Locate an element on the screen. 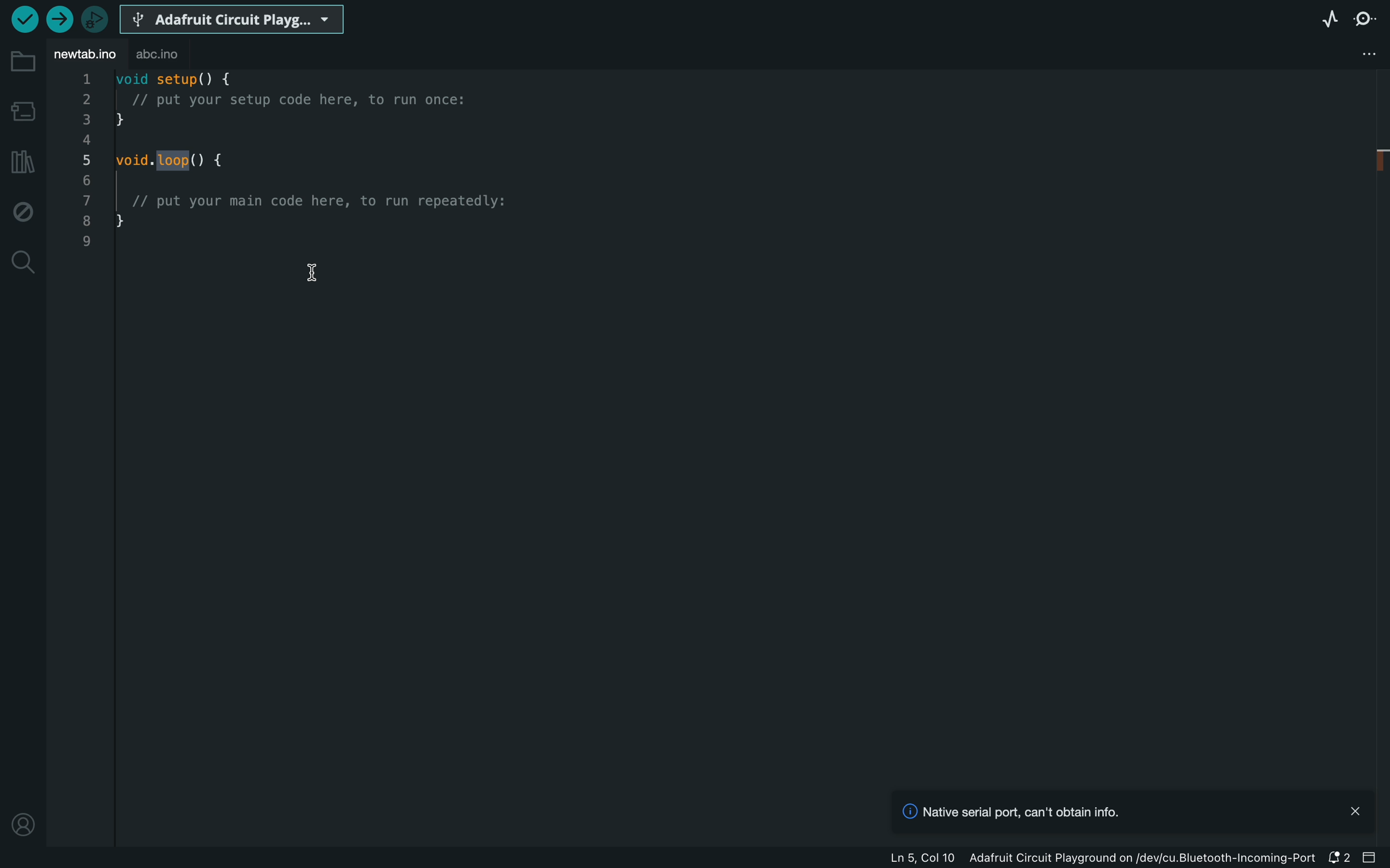 The image size is (1390, 868). Adafruit Circuit Playground on/dev/cu.Bluetooth-Incoming-Port is located at coordinates (1146, 858).